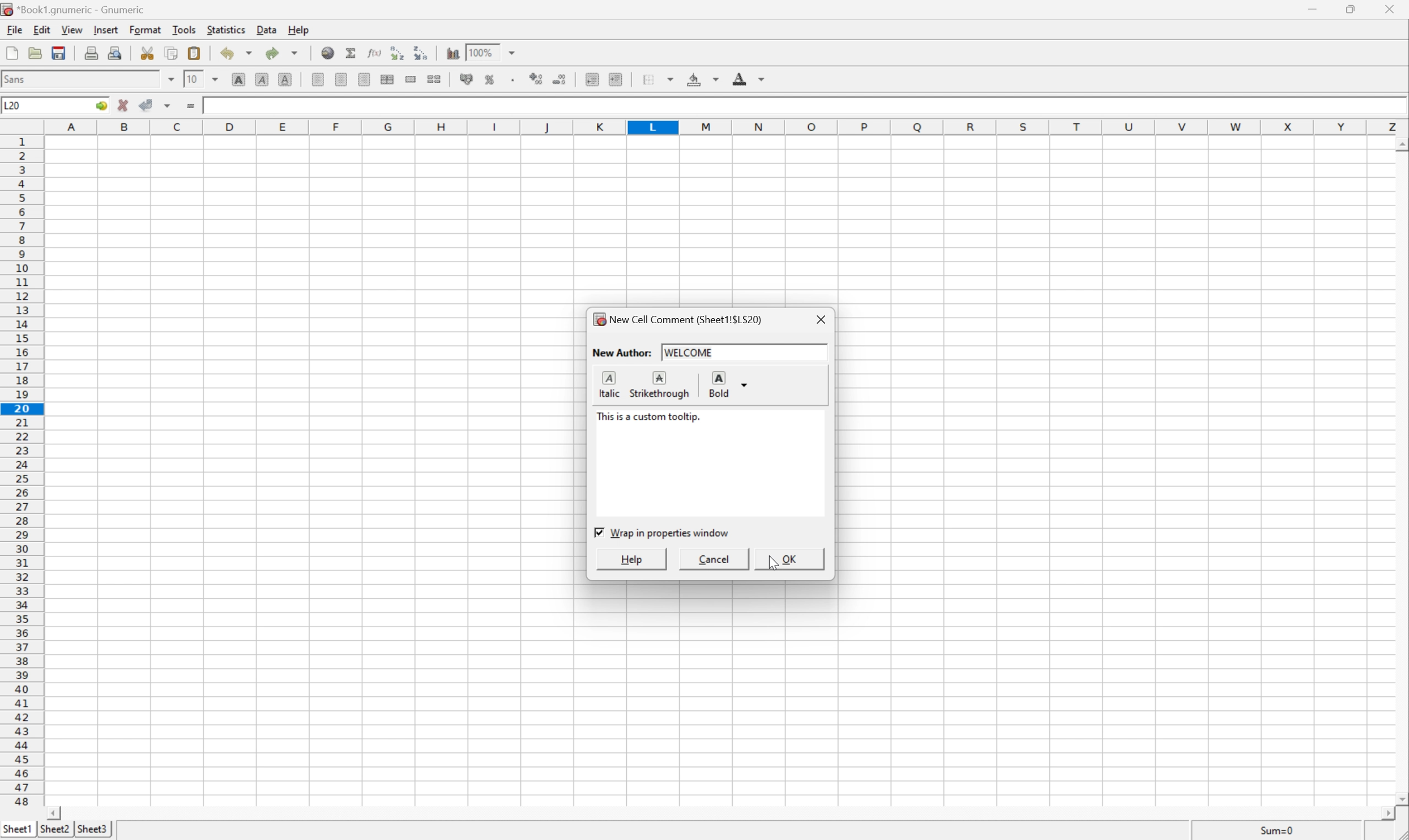 This screenshot has height=840, width=1409. What do you see at coordinates (54, 829) in the screenshot?
I see `Sheet3` at bounding box center [54, 829].